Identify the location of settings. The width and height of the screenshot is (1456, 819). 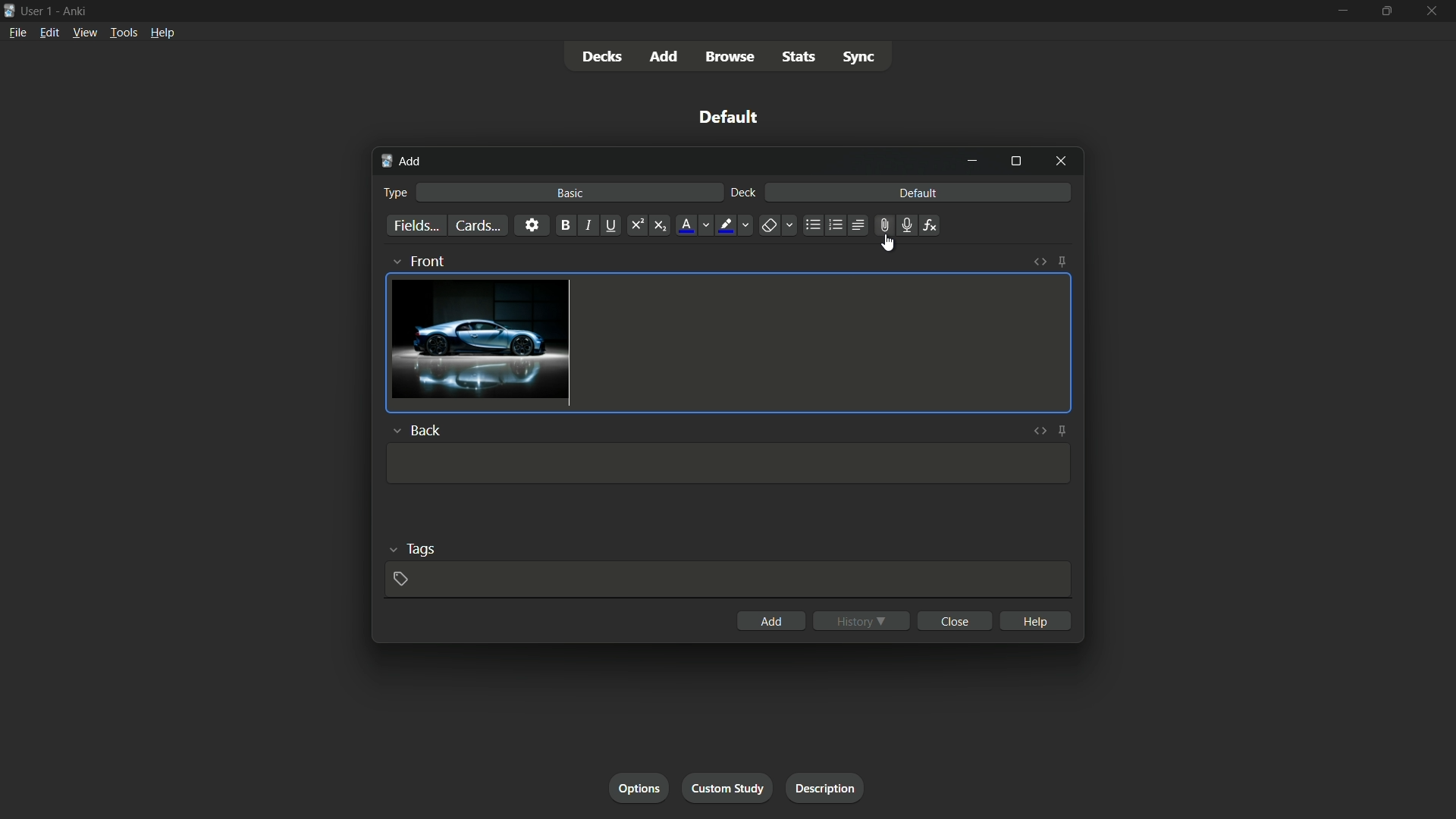
(533, 223).